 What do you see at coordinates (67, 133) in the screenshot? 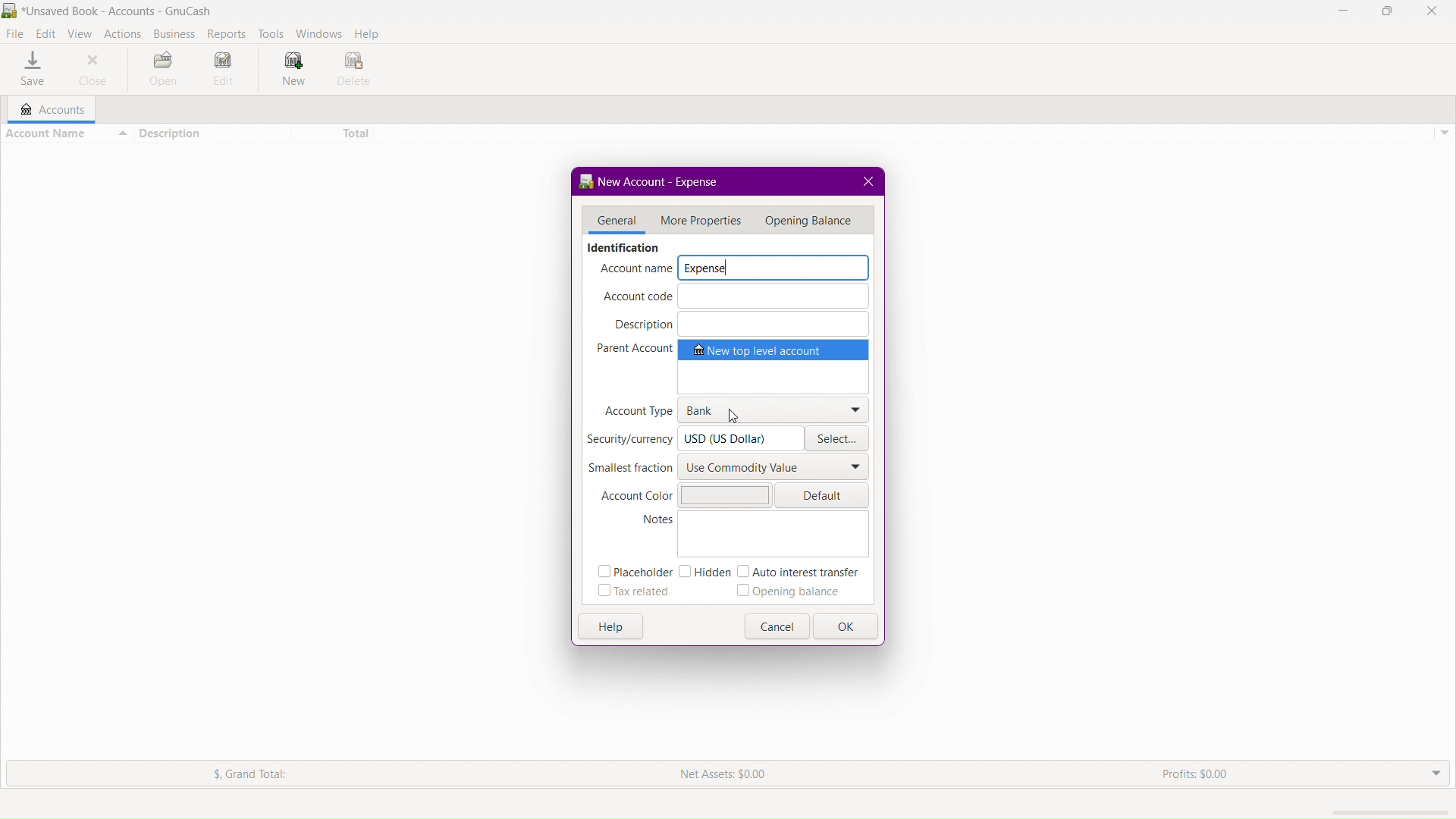
I see `Account Name` at bounding box center [67, 133].